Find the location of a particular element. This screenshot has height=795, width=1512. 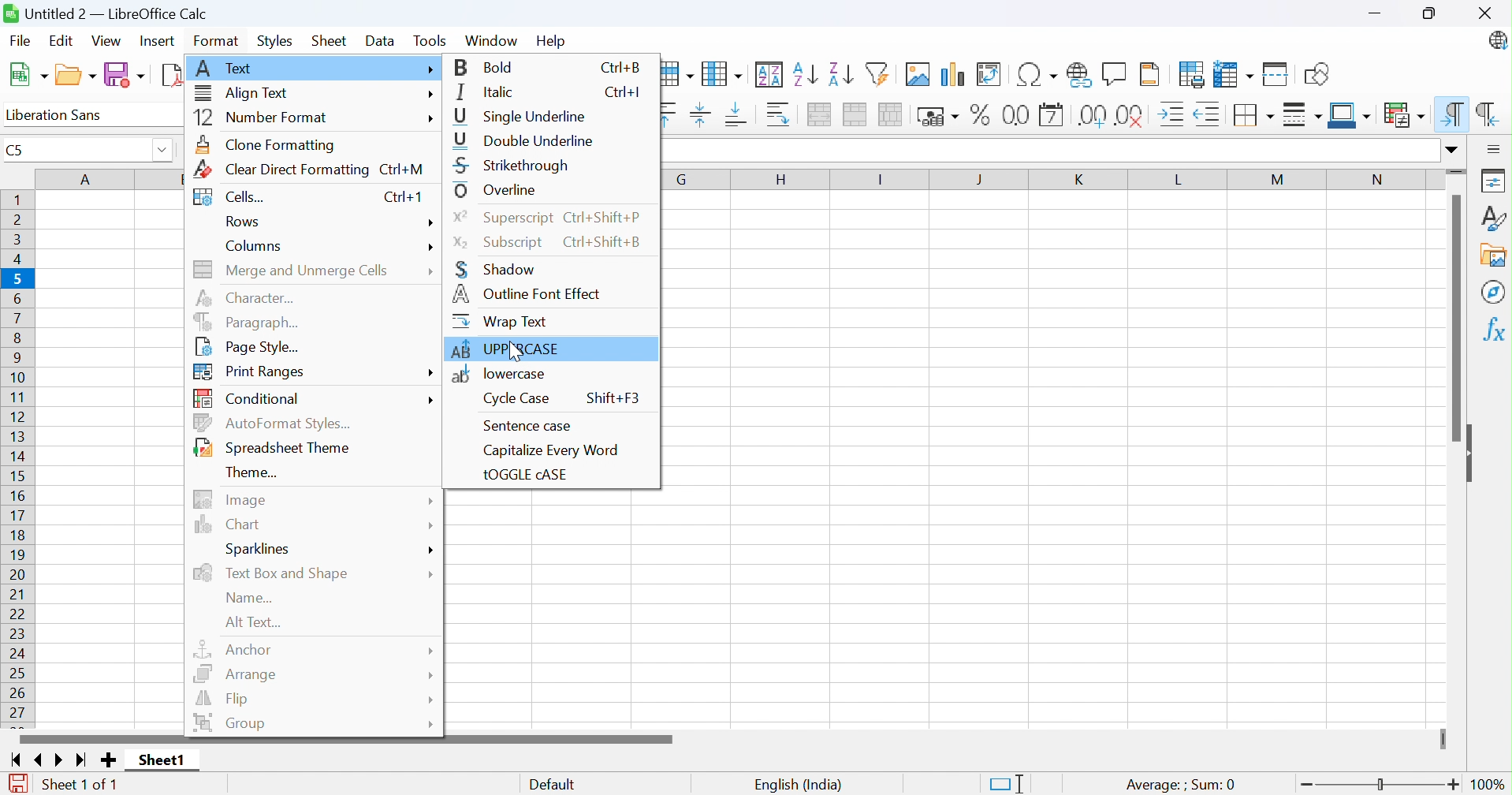

Split window is located at coordinates (1276, 75).